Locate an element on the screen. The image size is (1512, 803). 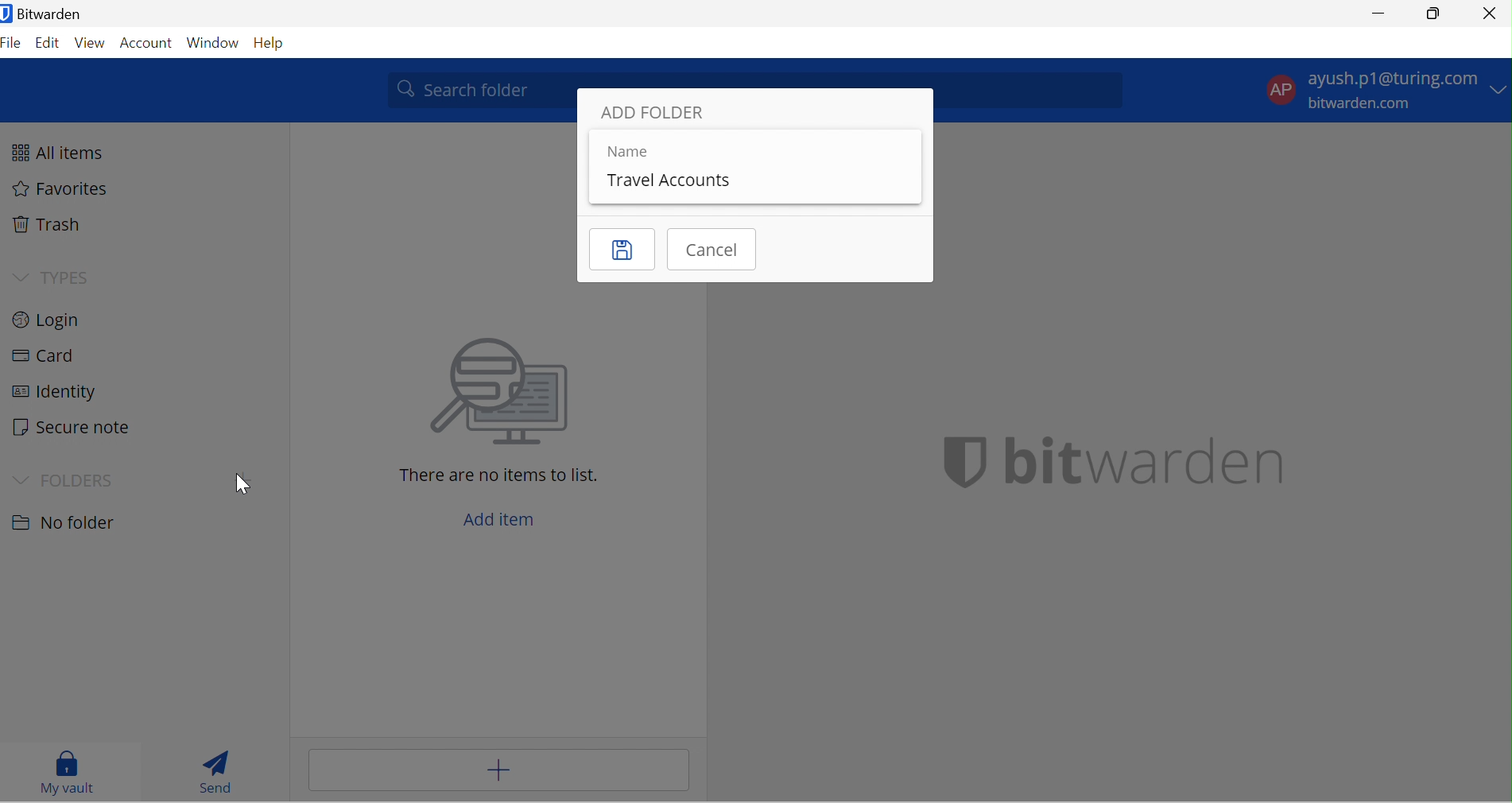
Add item is located at coordinates (508, 517).